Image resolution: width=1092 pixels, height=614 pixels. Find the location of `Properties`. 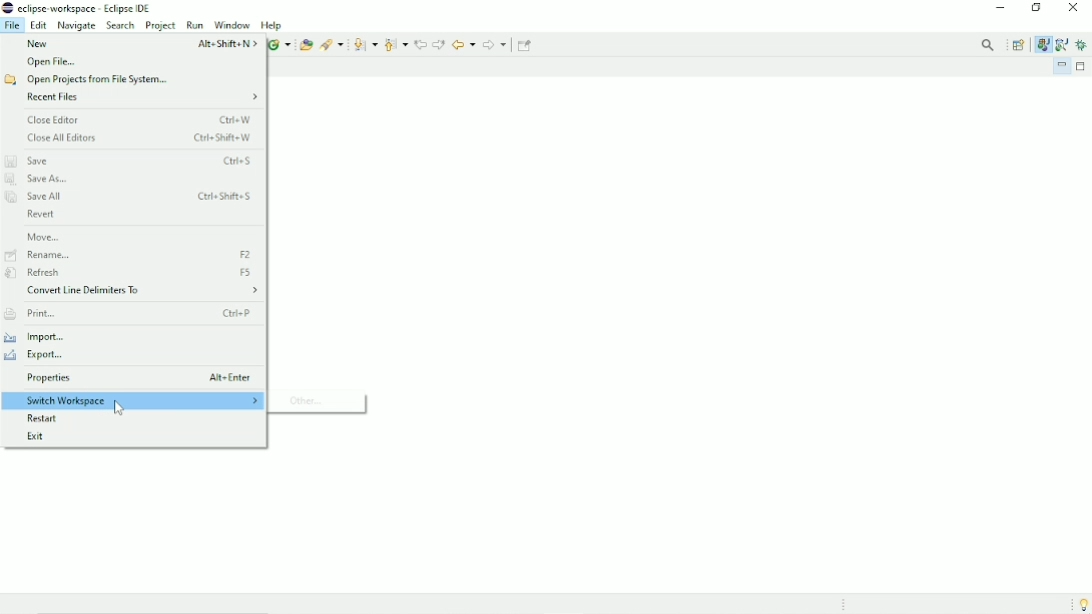

Properties is located at coordinates (139, 379).